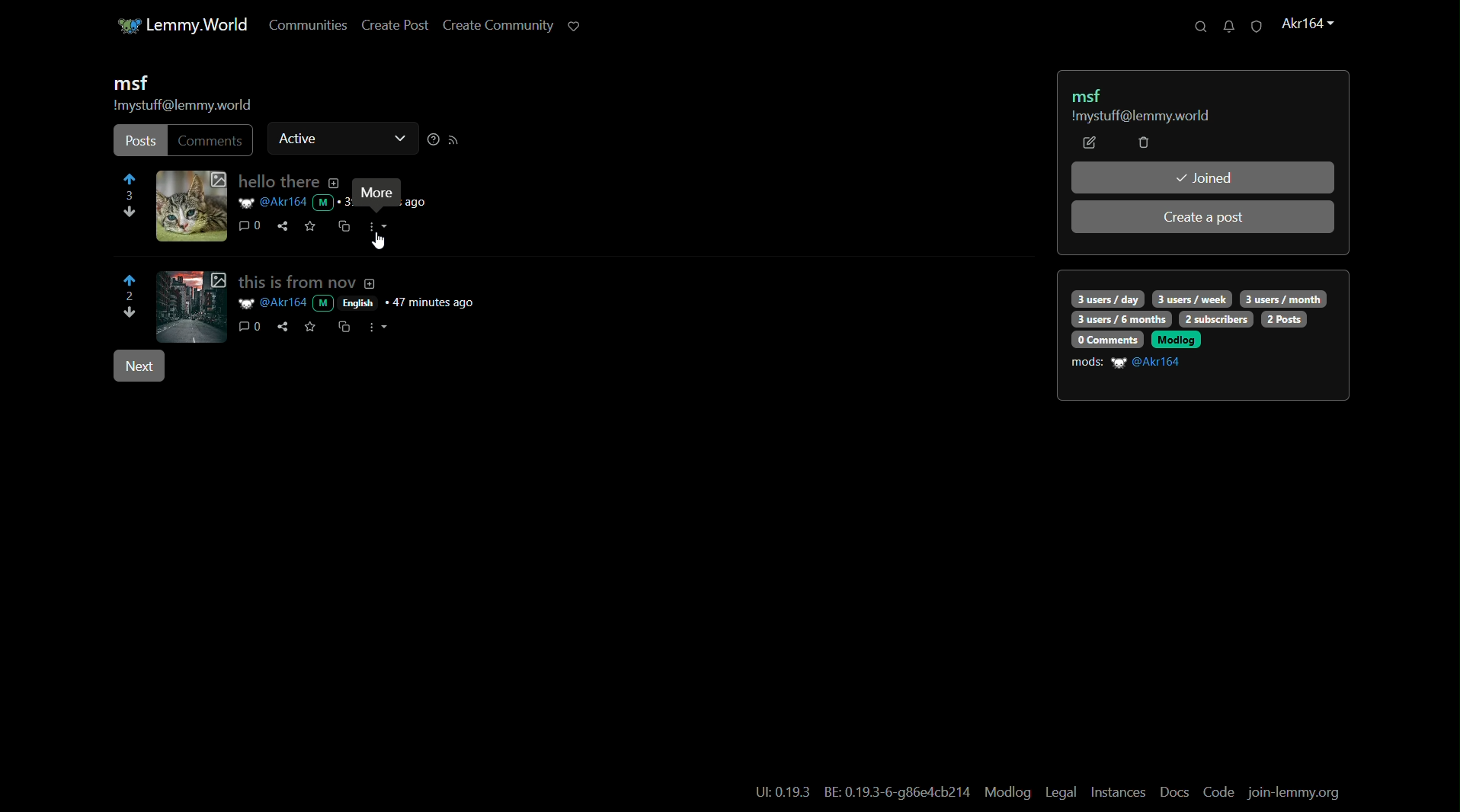 The height and width of the screenshot is (812, 1460). Describe the element at coordinates (1205, 218) in the screenshot. I see `create a post` at that location.